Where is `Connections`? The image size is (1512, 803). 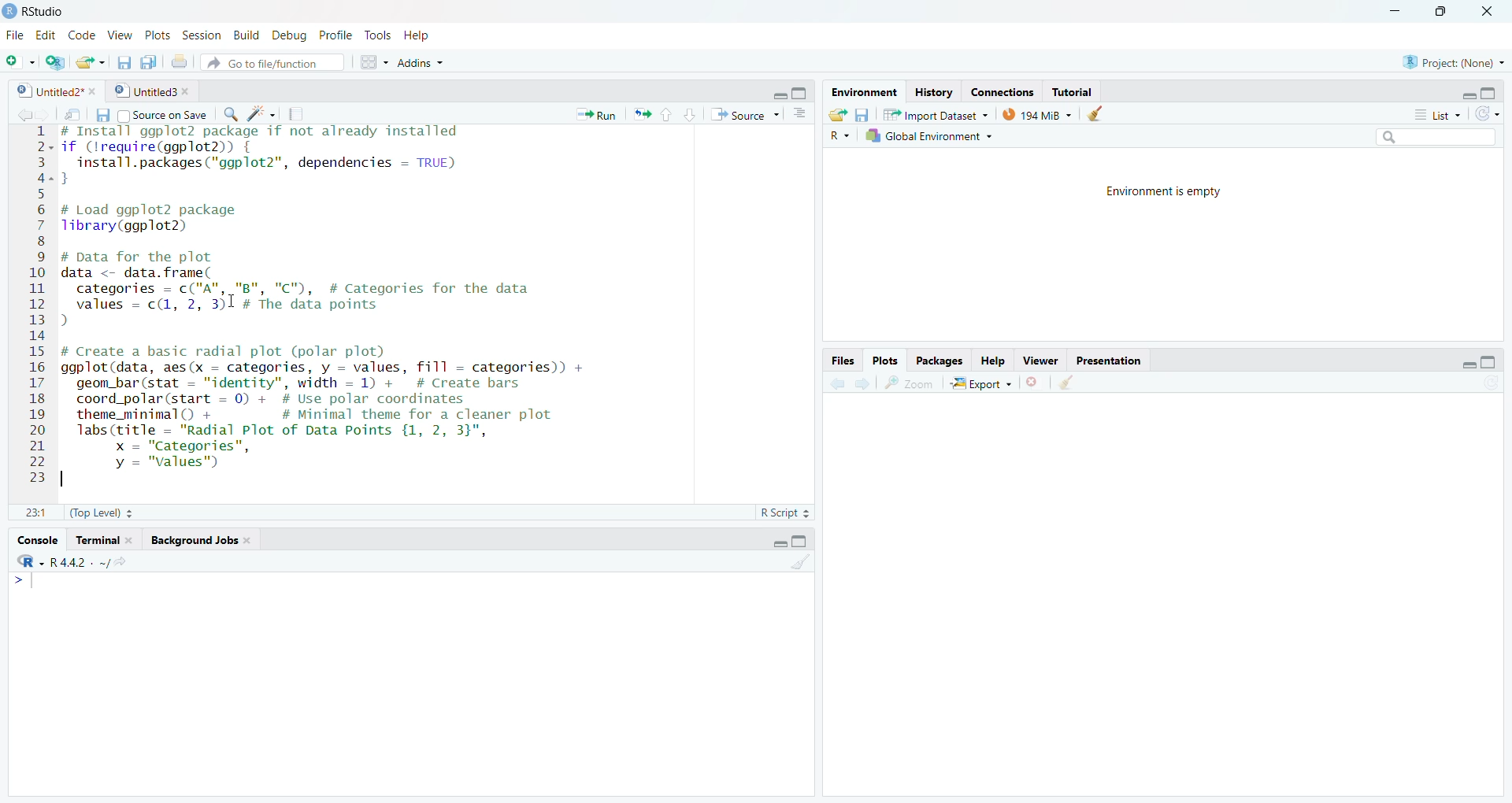 Connections is located at coordinates (1004, 91).